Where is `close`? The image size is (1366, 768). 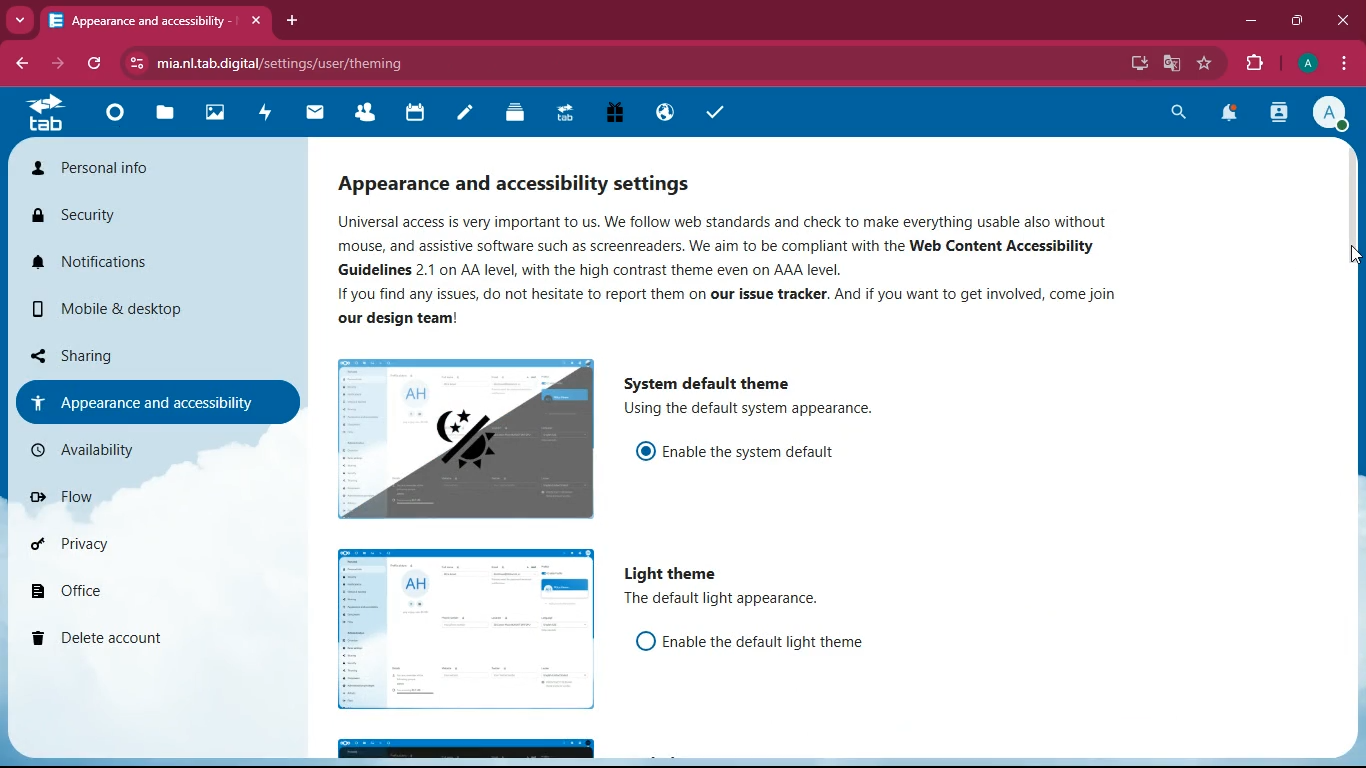 close is located at coordinates (1343, 21).